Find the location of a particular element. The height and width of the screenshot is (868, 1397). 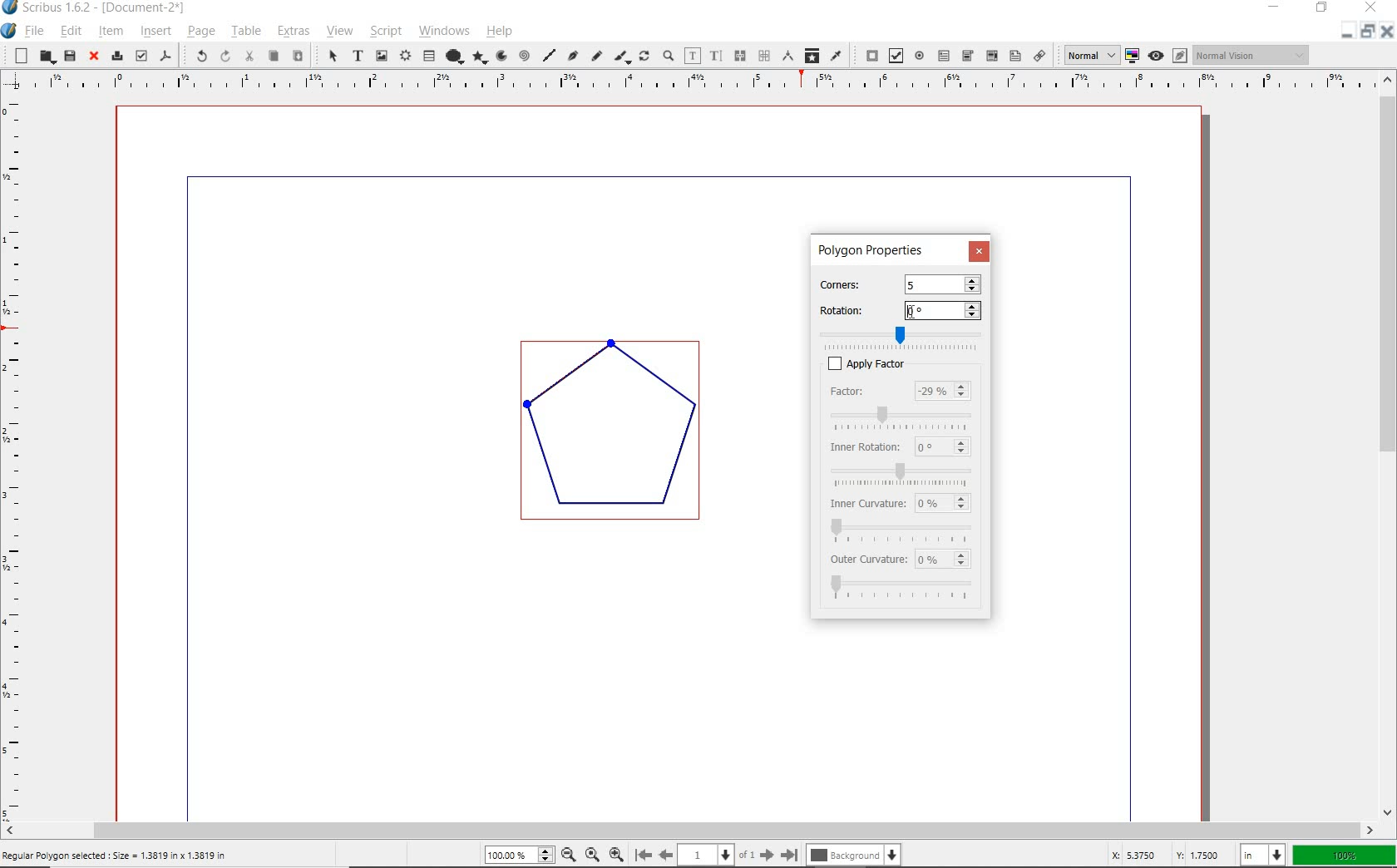

close document is located at coordinates (1385, 31).